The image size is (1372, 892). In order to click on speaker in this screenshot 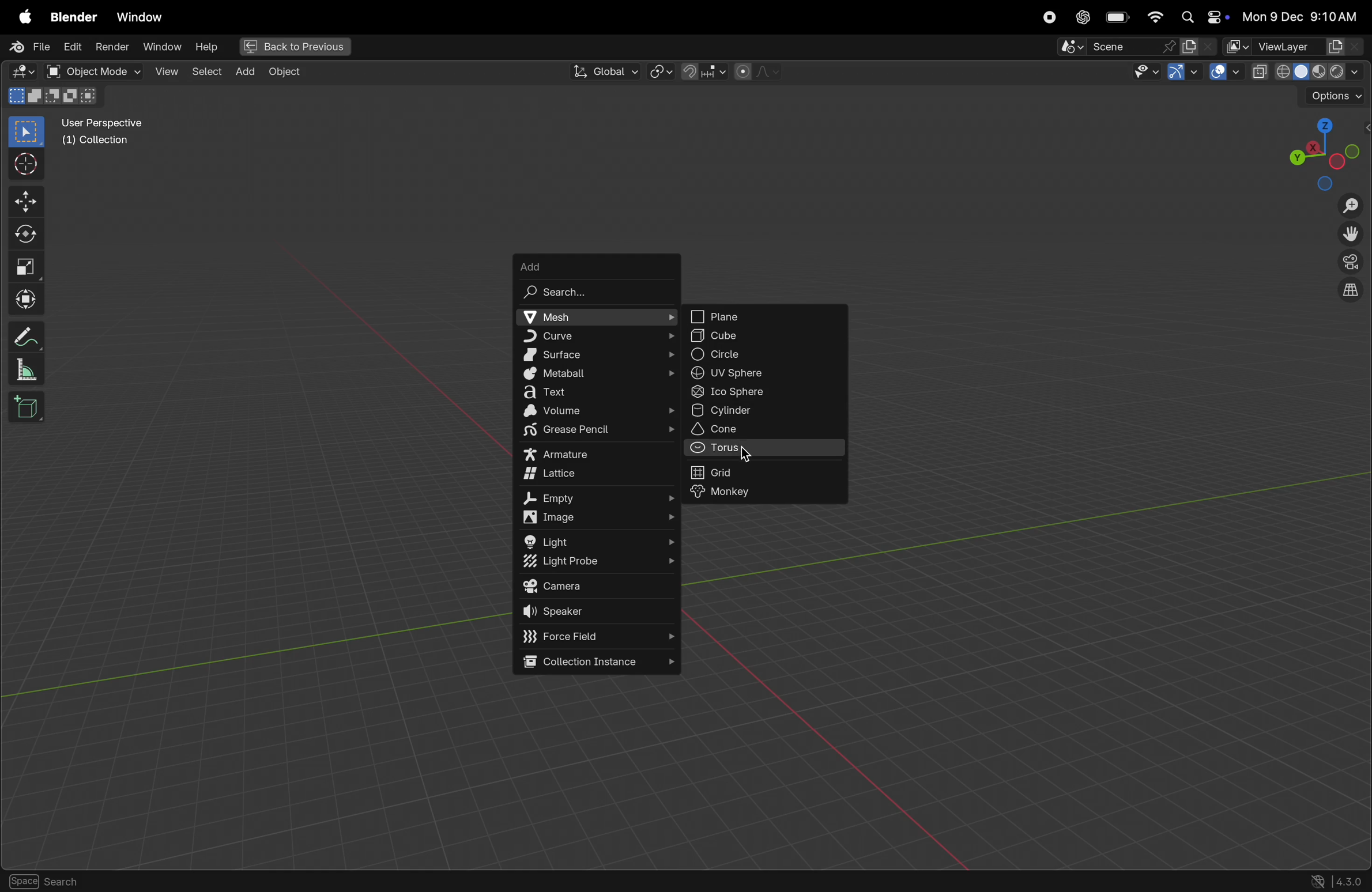, I will do `click(600, 613)`.